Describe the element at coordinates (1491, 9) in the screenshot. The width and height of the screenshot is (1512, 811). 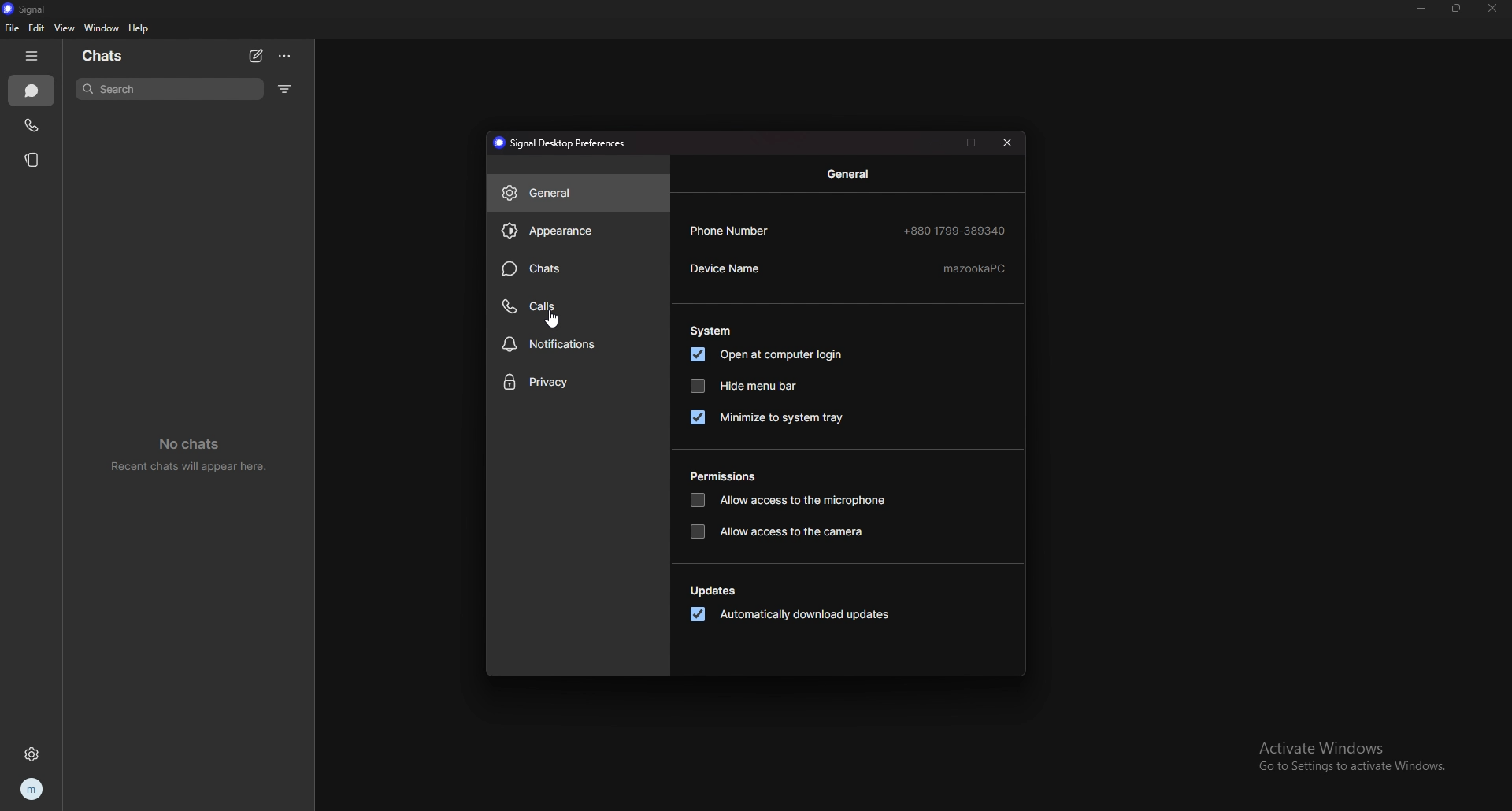
I see `close` at that location.